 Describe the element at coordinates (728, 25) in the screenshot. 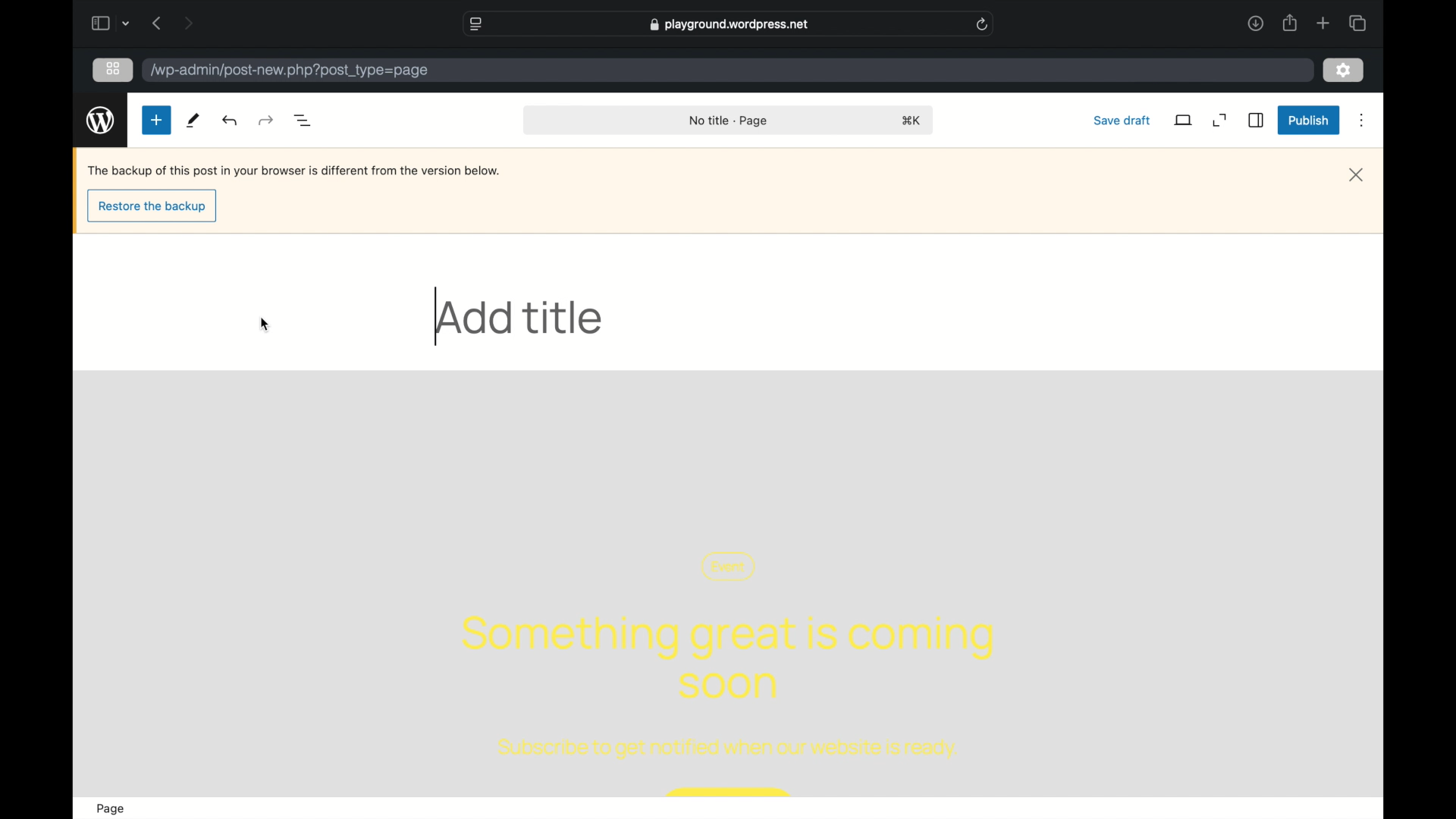

I see `web address` at that location.